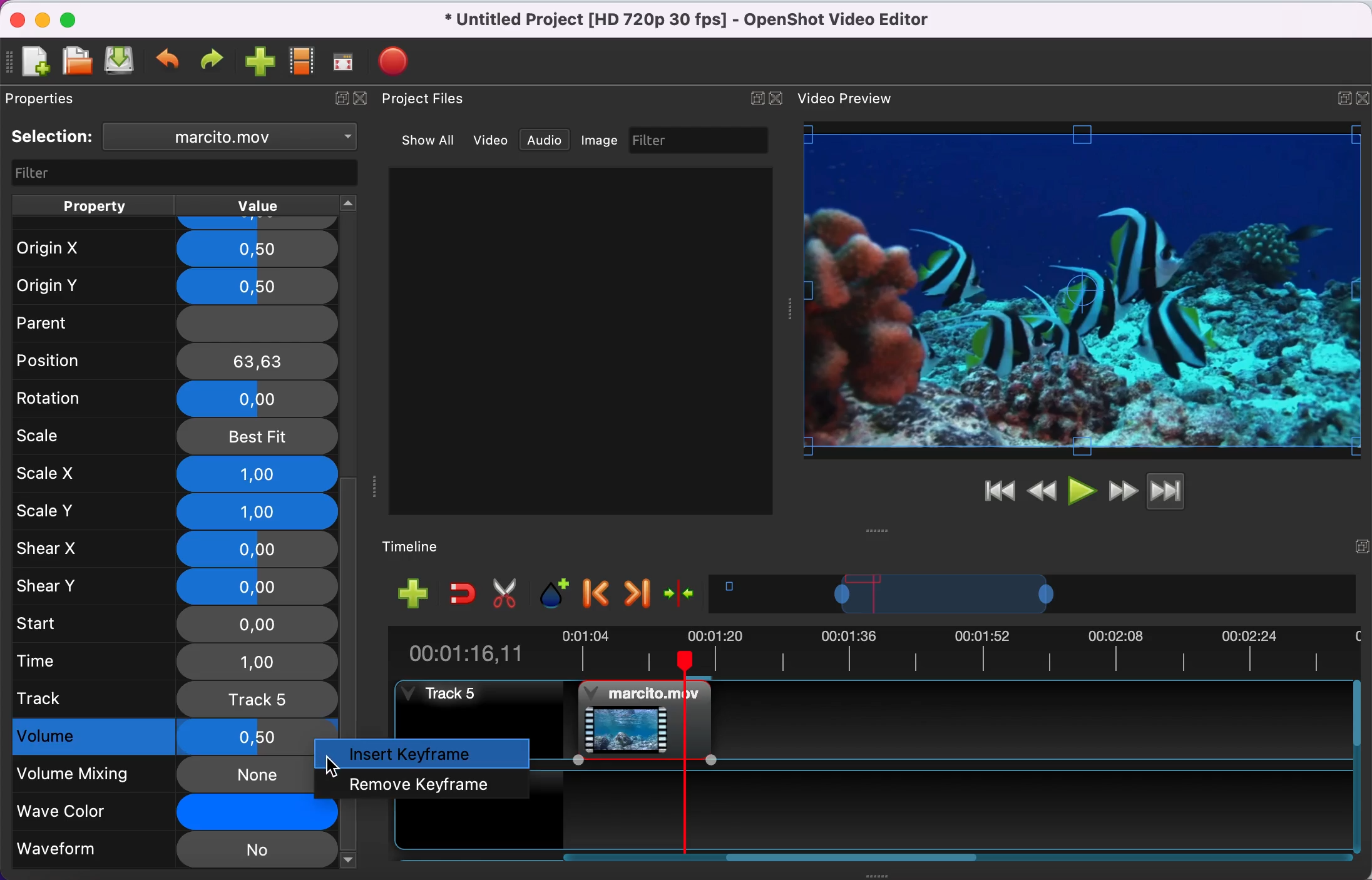 The height and width of the screenshot is (880, 1372). Describe the element at coordinates (366, 103) in the screenshot. I see `close` at that location.